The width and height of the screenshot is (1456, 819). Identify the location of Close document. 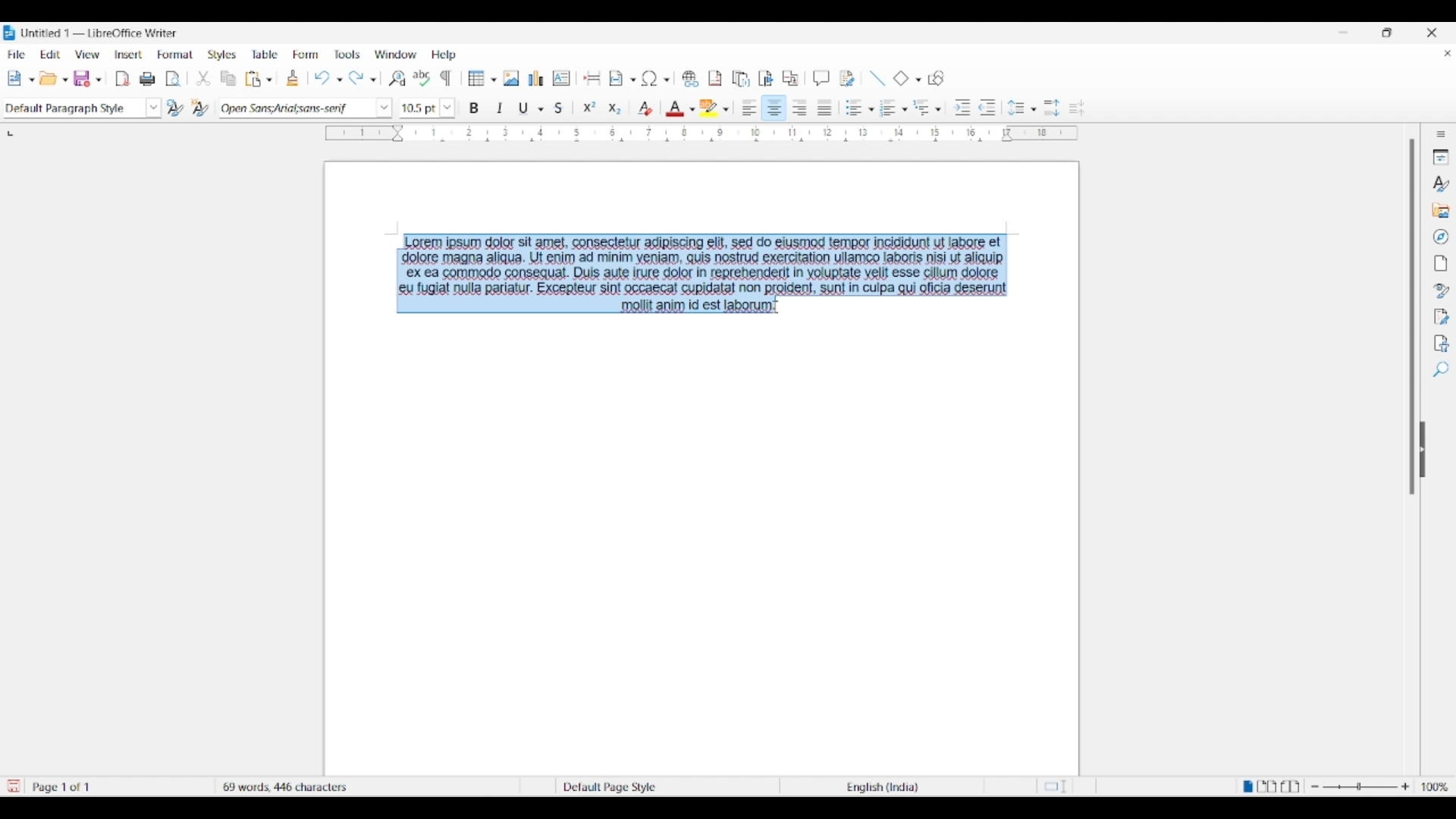
(1448, 53).